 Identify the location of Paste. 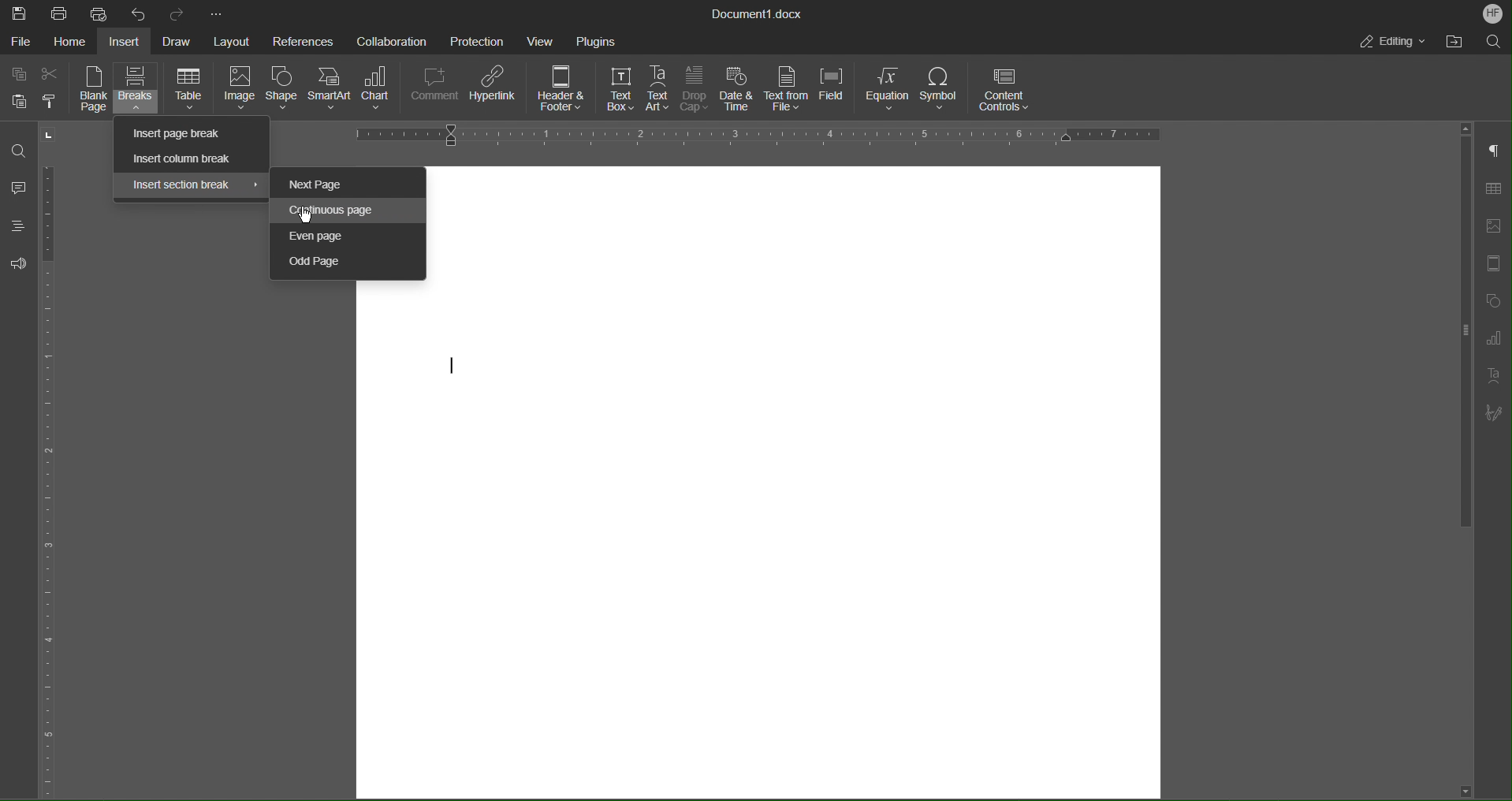
(20, 102).